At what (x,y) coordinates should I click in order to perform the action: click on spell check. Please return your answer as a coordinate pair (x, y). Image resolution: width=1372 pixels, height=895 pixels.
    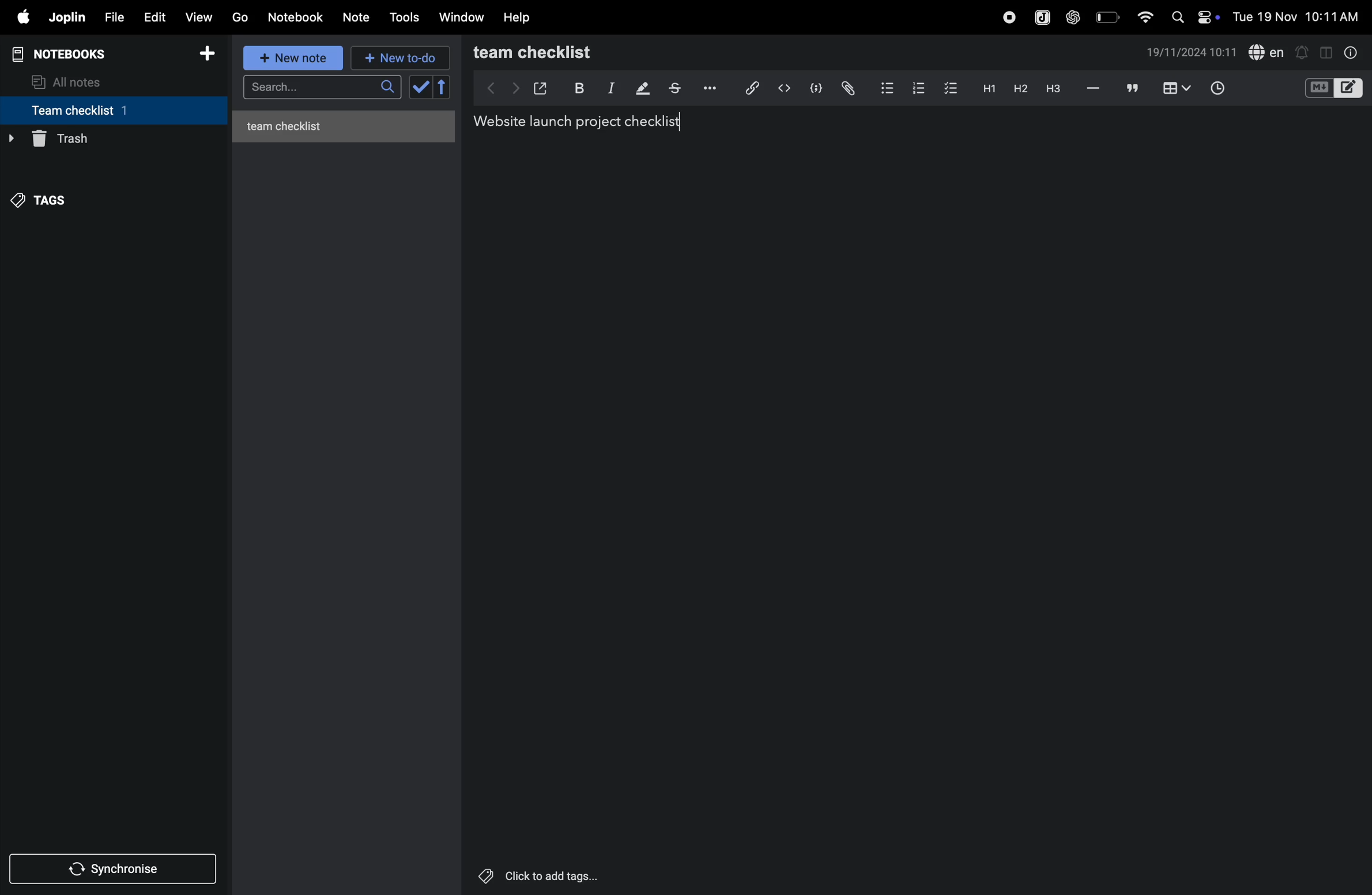
    Looking at the image, I should click on (1268, 52).